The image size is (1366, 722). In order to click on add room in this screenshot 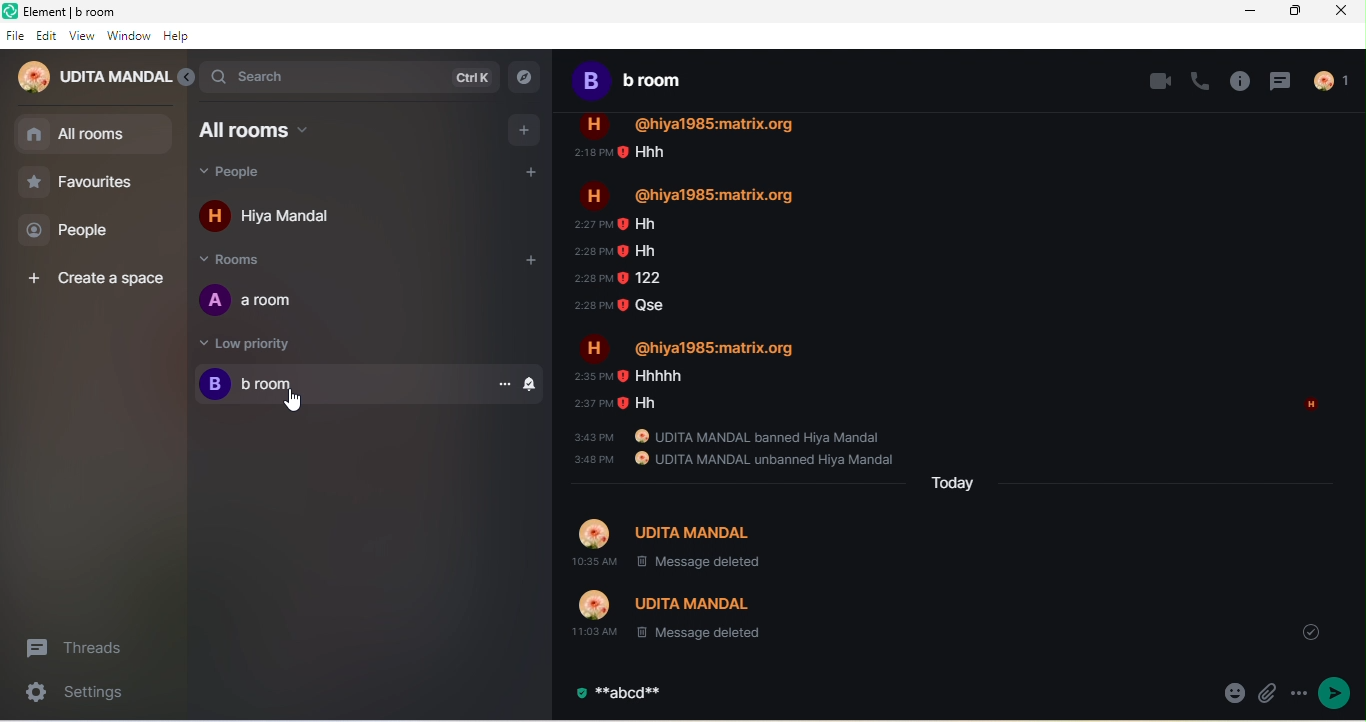, I will do `click(536, 266)`.